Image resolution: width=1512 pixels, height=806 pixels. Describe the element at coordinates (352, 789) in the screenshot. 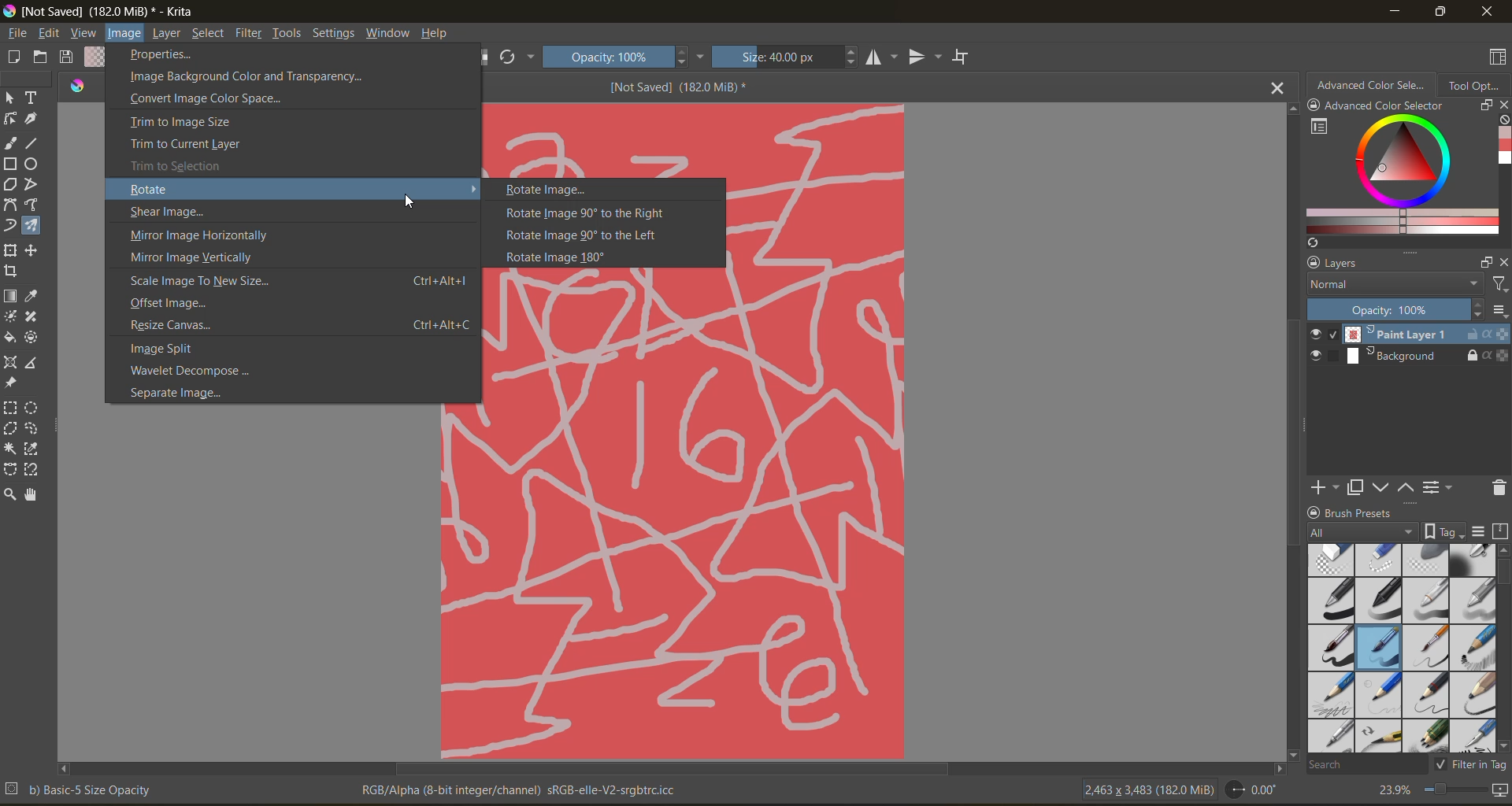

I see `metadata` at that location.